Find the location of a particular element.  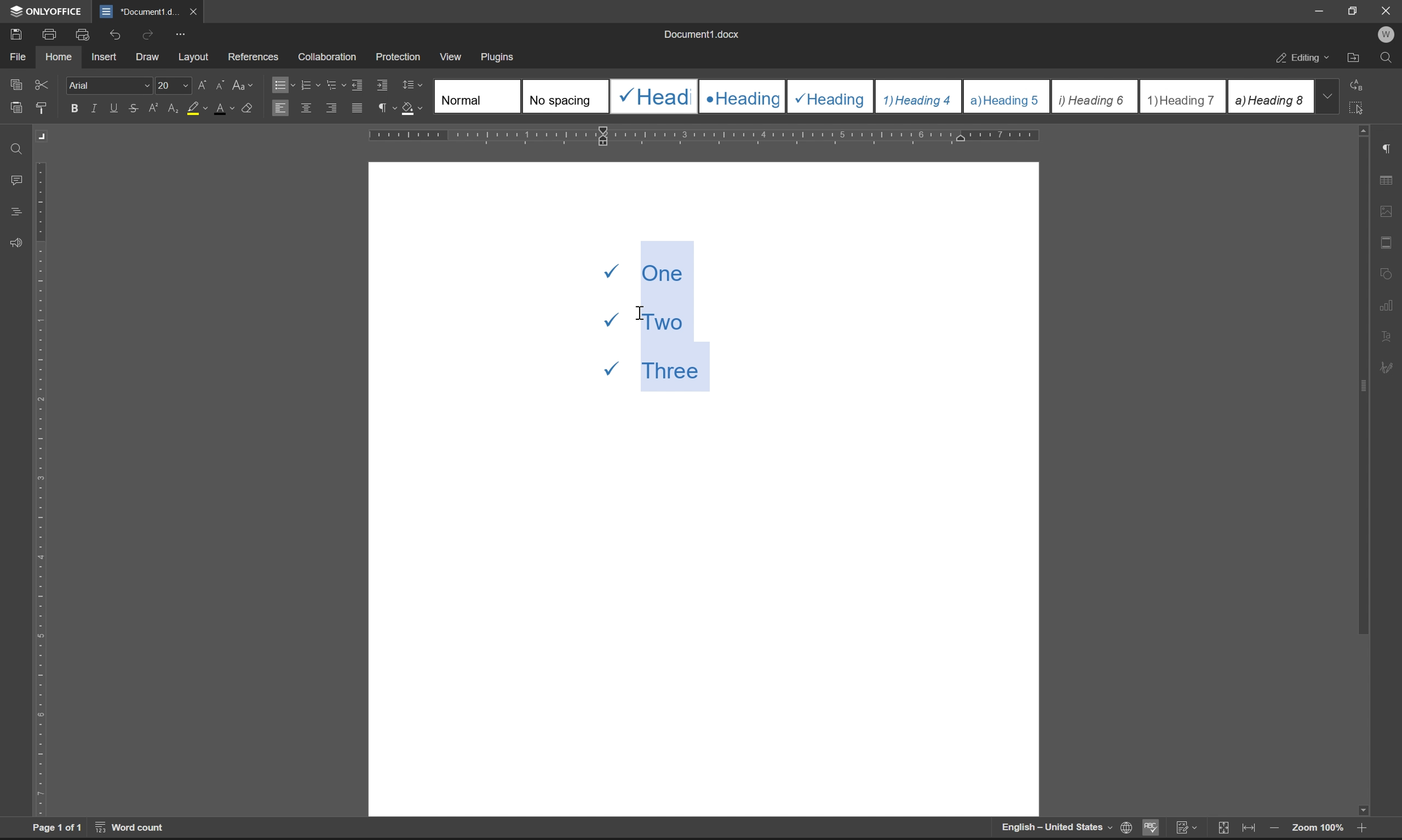

zoom 100% is located at coordinates (1317, 830).